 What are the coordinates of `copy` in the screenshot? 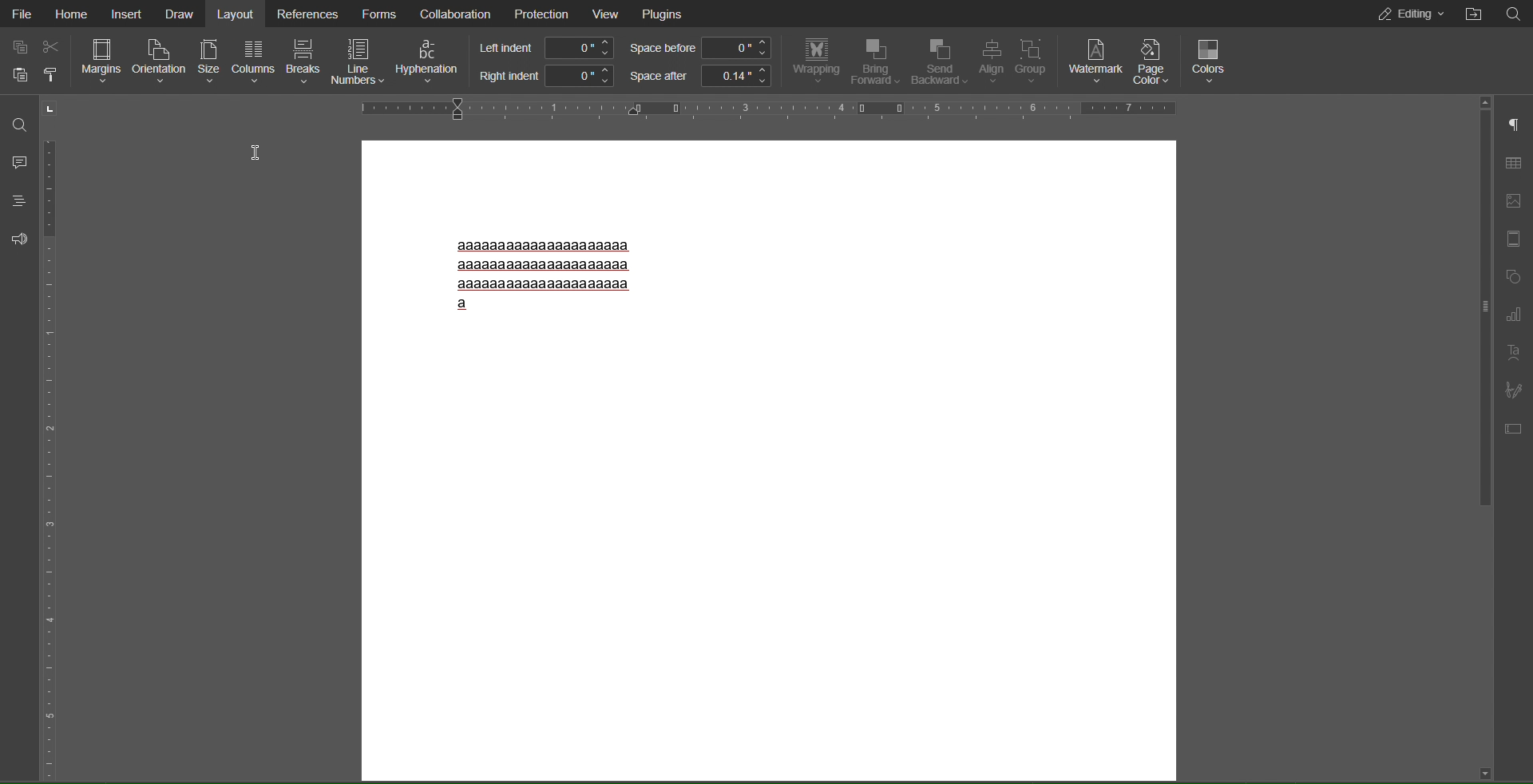 It's located at (18, 46).